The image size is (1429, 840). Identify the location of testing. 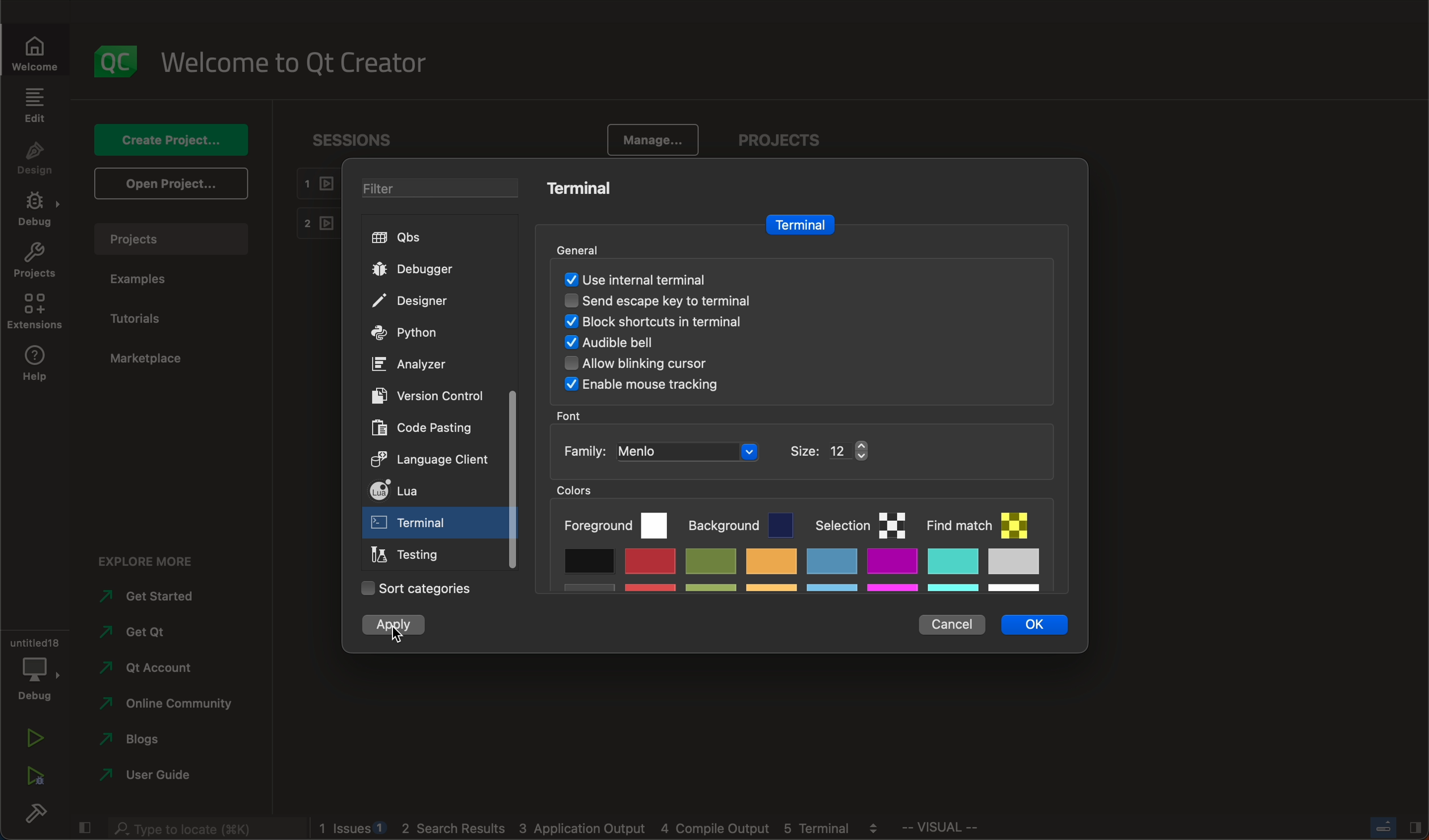
(411, 555).